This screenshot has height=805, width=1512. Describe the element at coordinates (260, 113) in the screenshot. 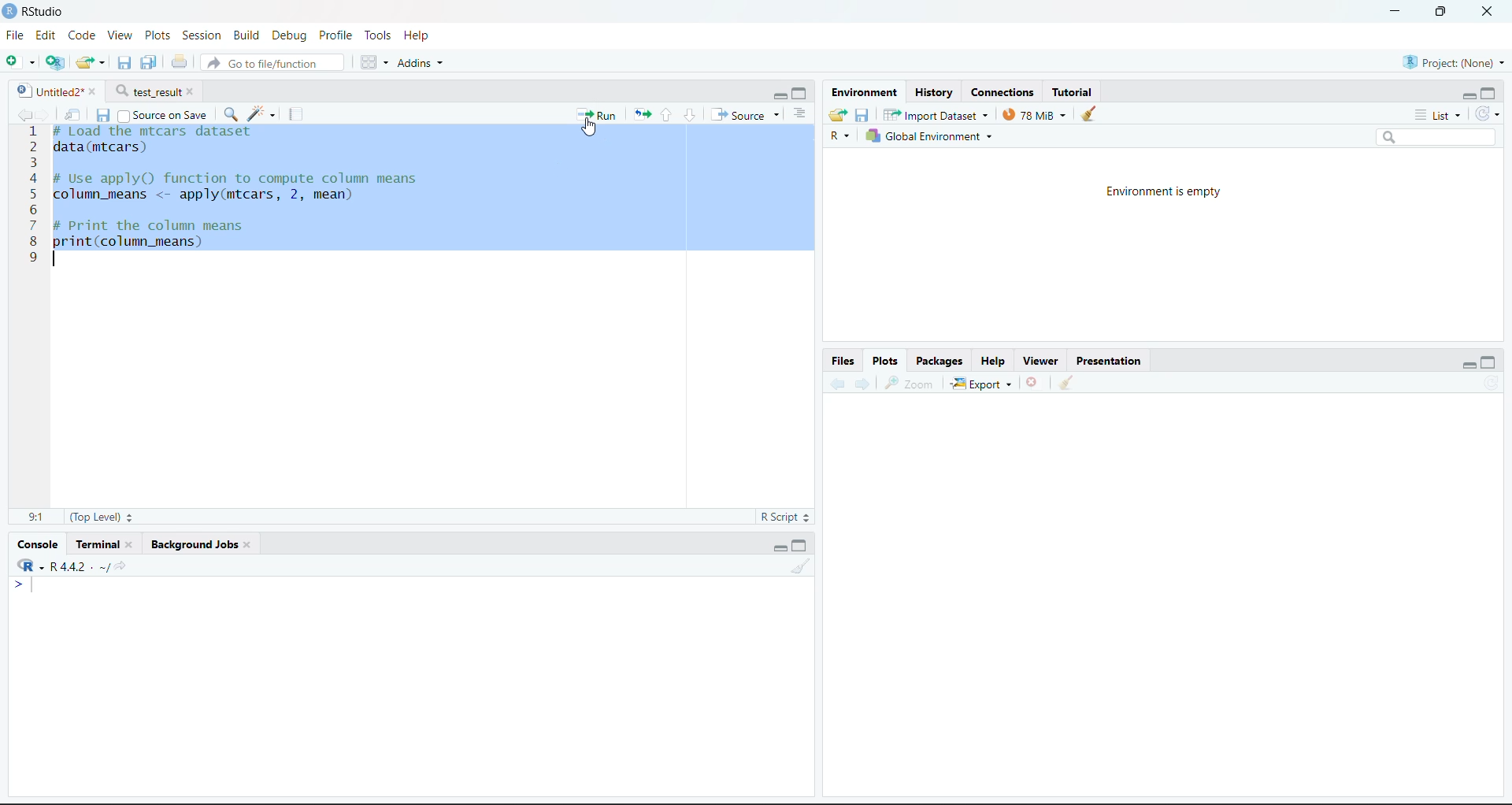

I see `Code Tools` at that location.